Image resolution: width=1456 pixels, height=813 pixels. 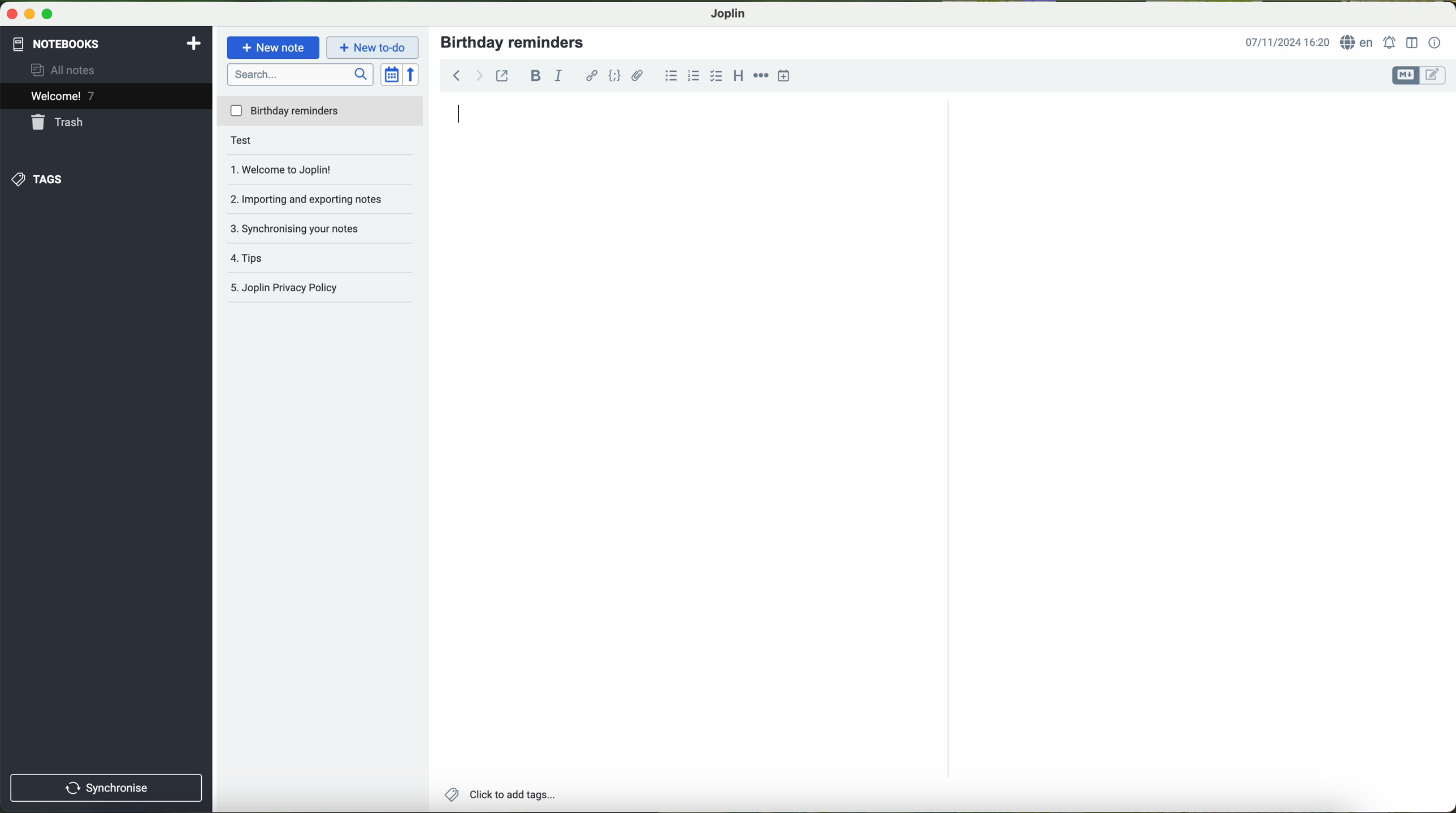 I want to click on importing and exporting notes, so click(x=312, y=196).